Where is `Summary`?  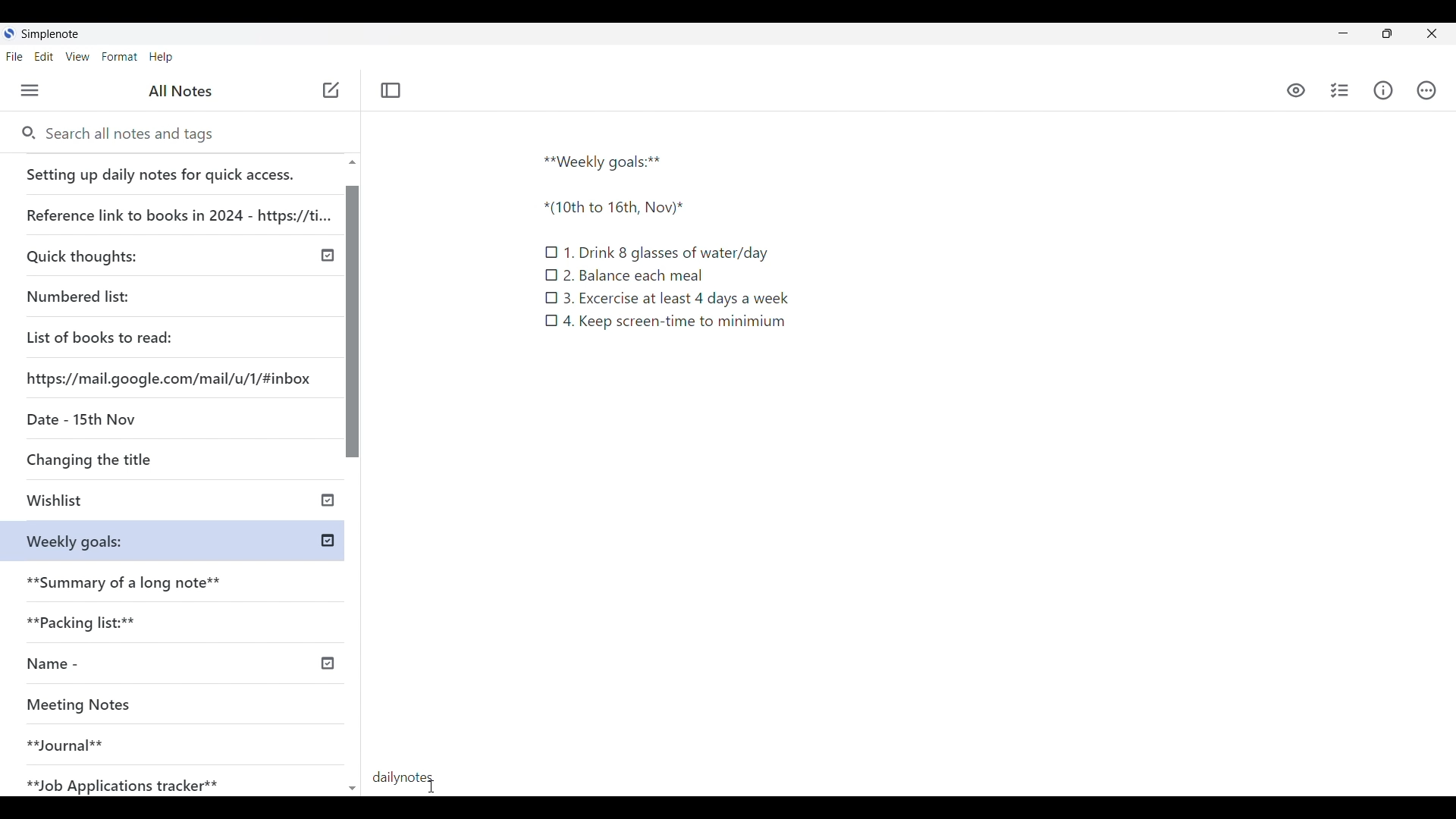
Summary is located at coordinates (181, 578).